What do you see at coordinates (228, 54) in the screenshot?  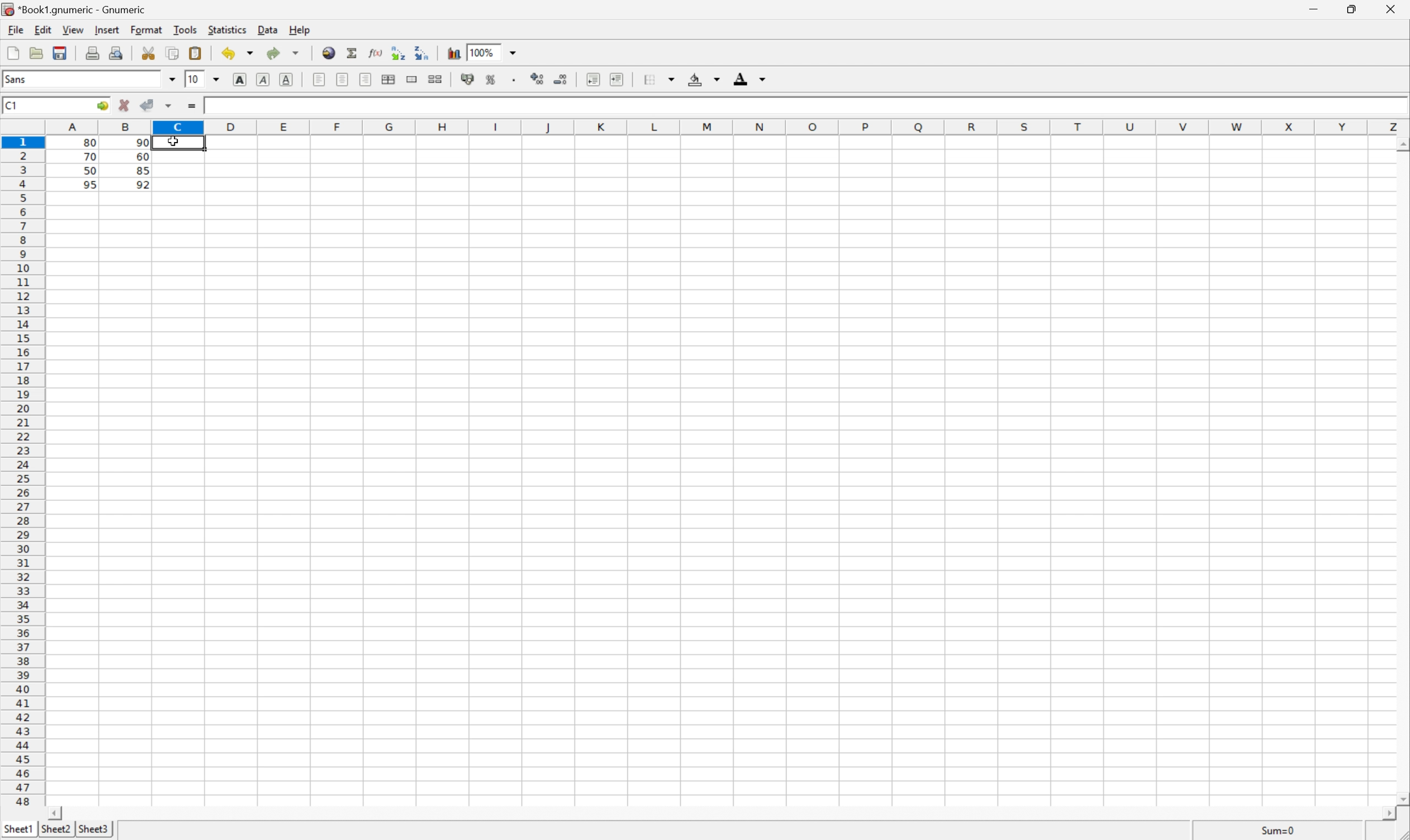 I see `Undo` at bounding box center [228, 54].